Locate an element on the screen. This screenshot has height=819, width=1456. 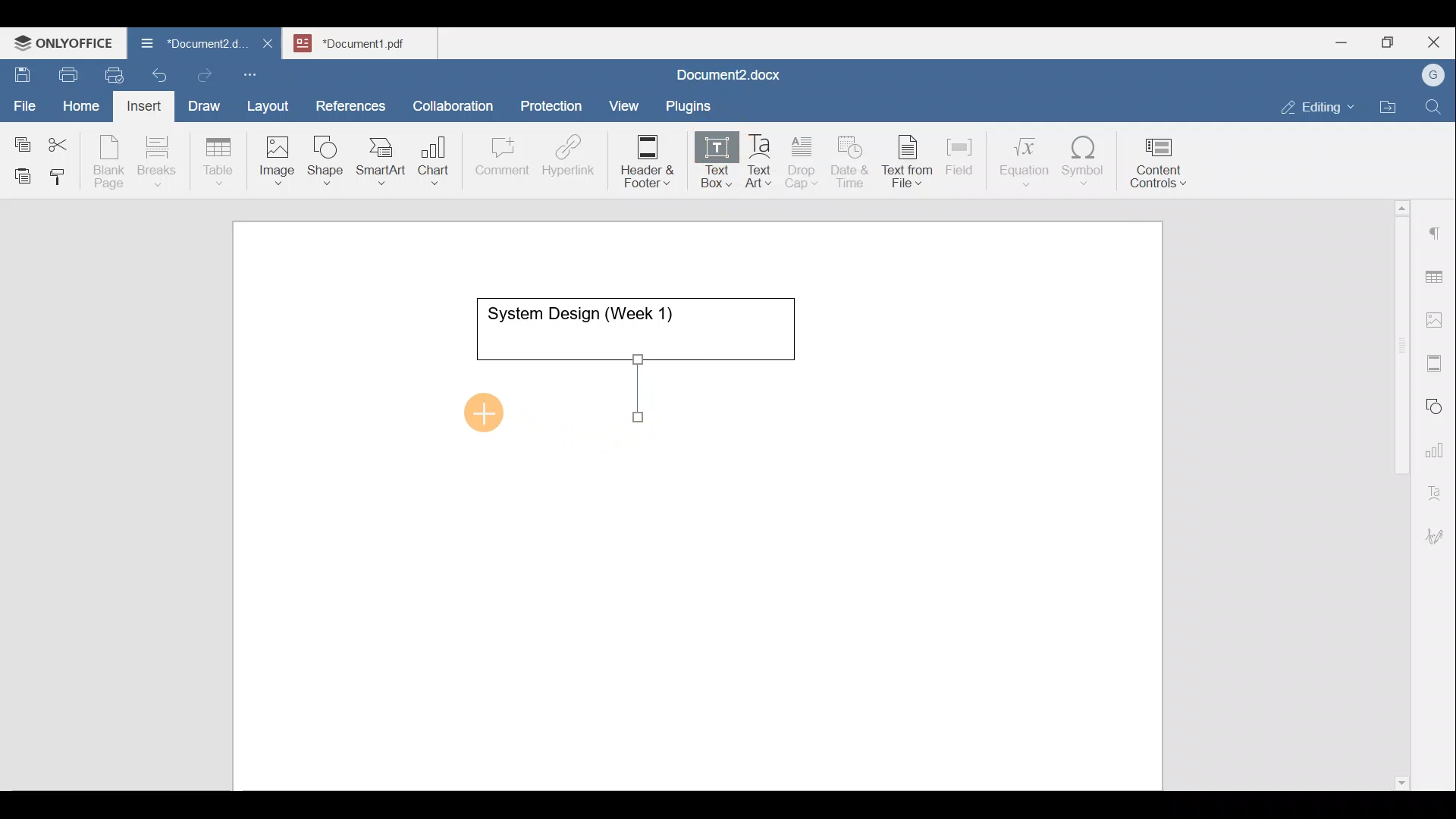
Shape is located at coordinates (327, 153).